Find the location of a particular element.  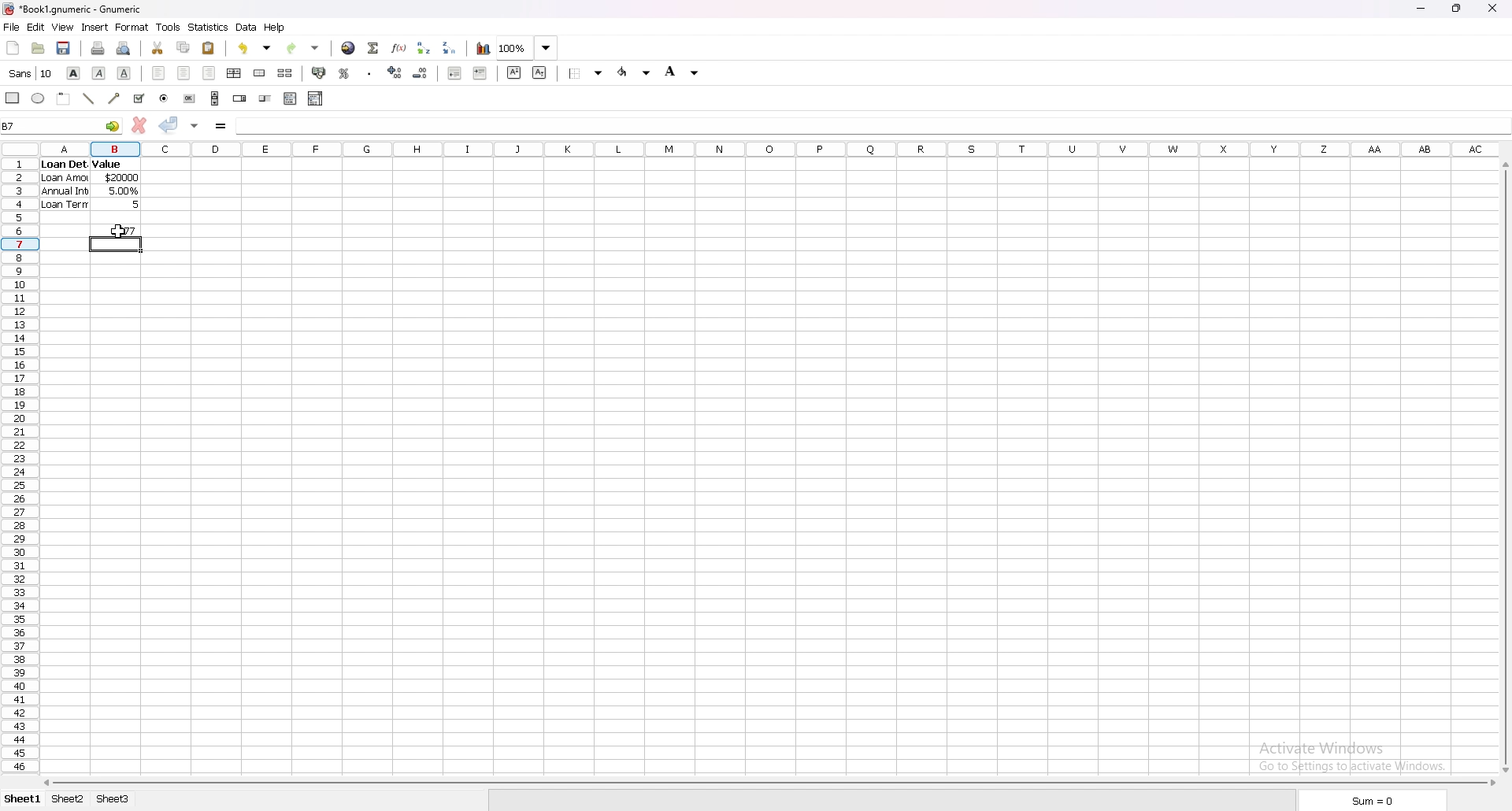

centre is located at coordinates (183, 73).